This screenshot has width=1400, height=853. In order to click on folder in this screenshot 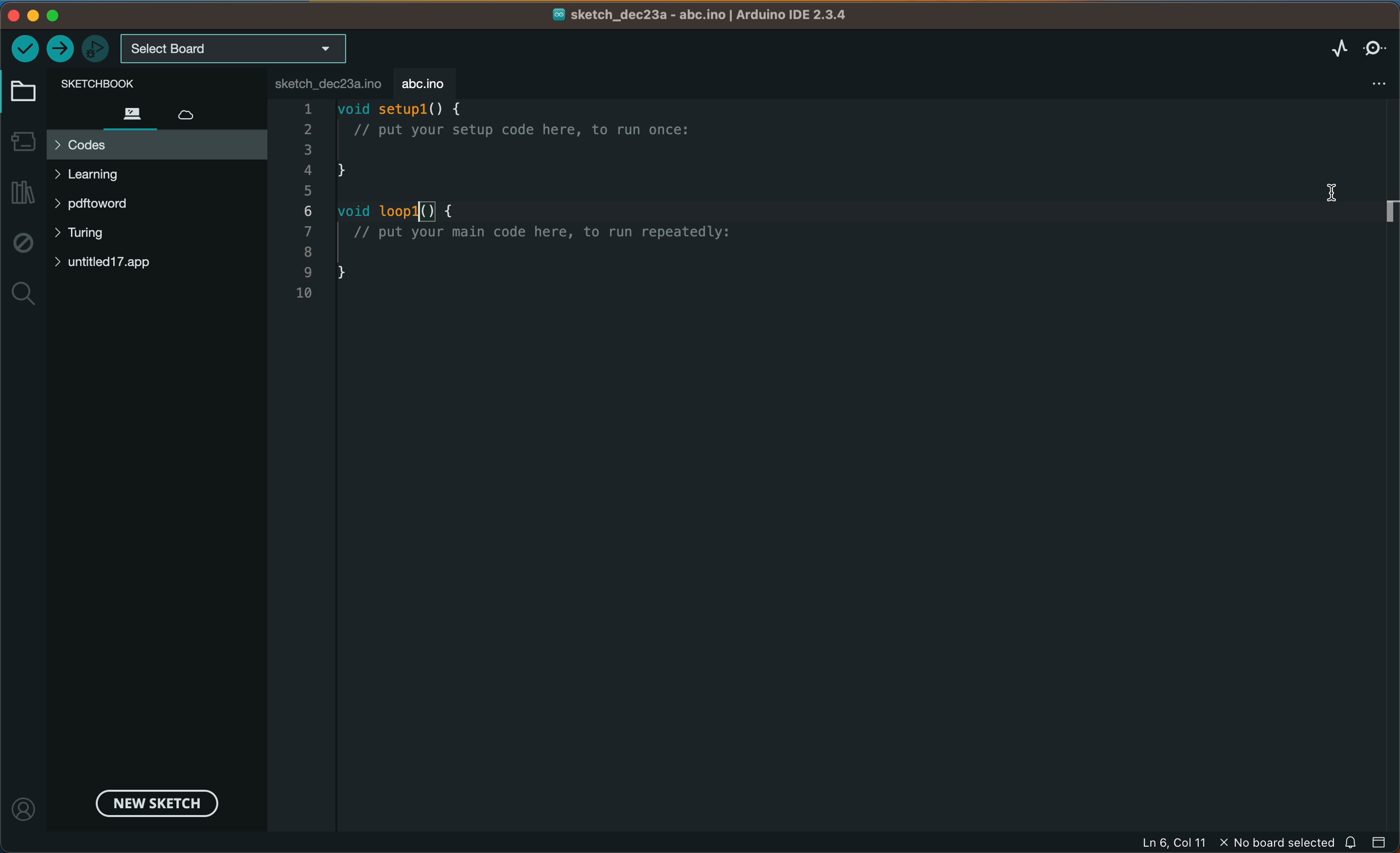, I will do `click(21, 92)`.